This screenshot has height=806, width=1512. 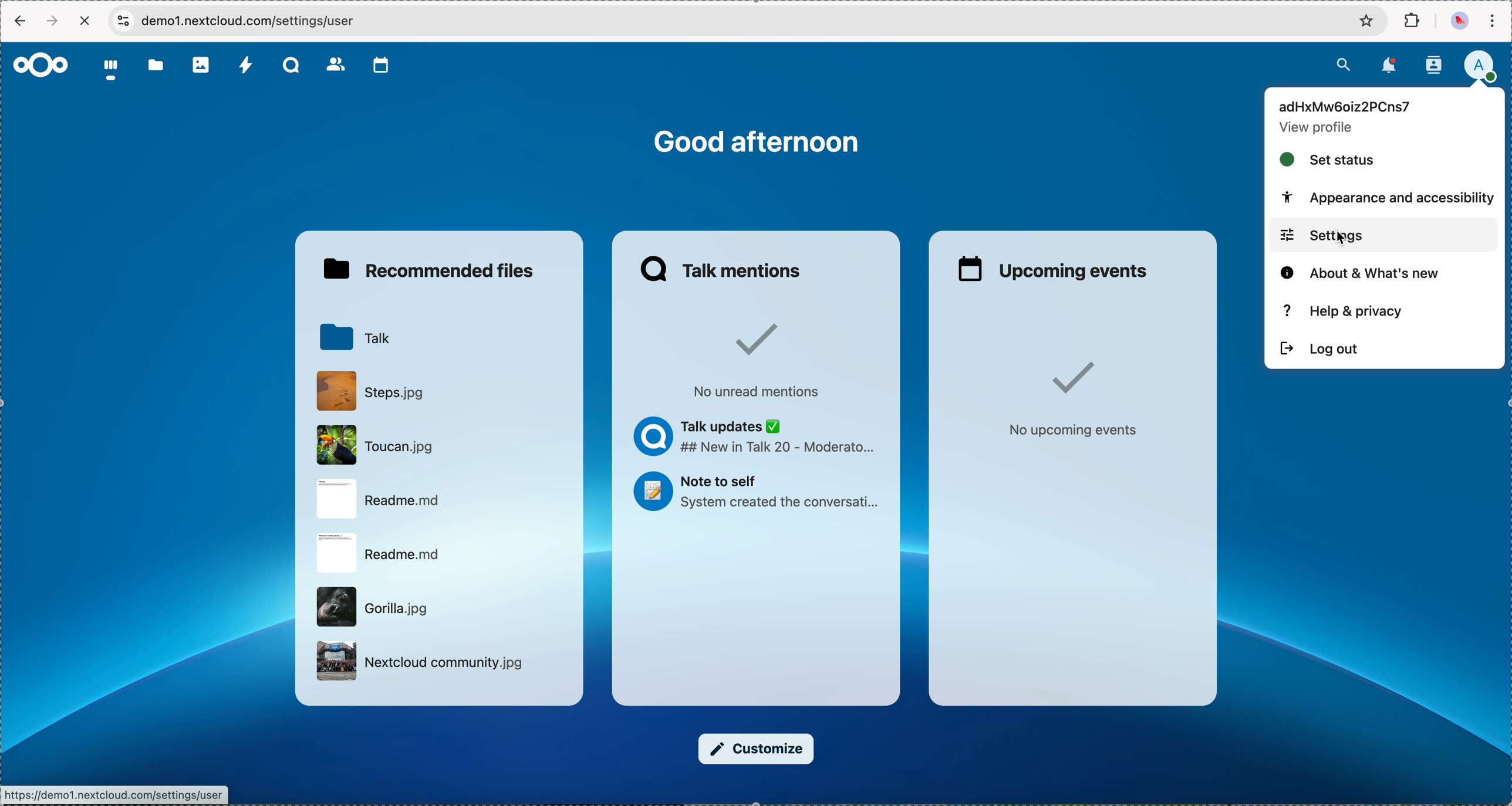 What do you see at coordinates (1433, 65) in the screenshot?
I see `contacts` at bounding box center [1433, 65].